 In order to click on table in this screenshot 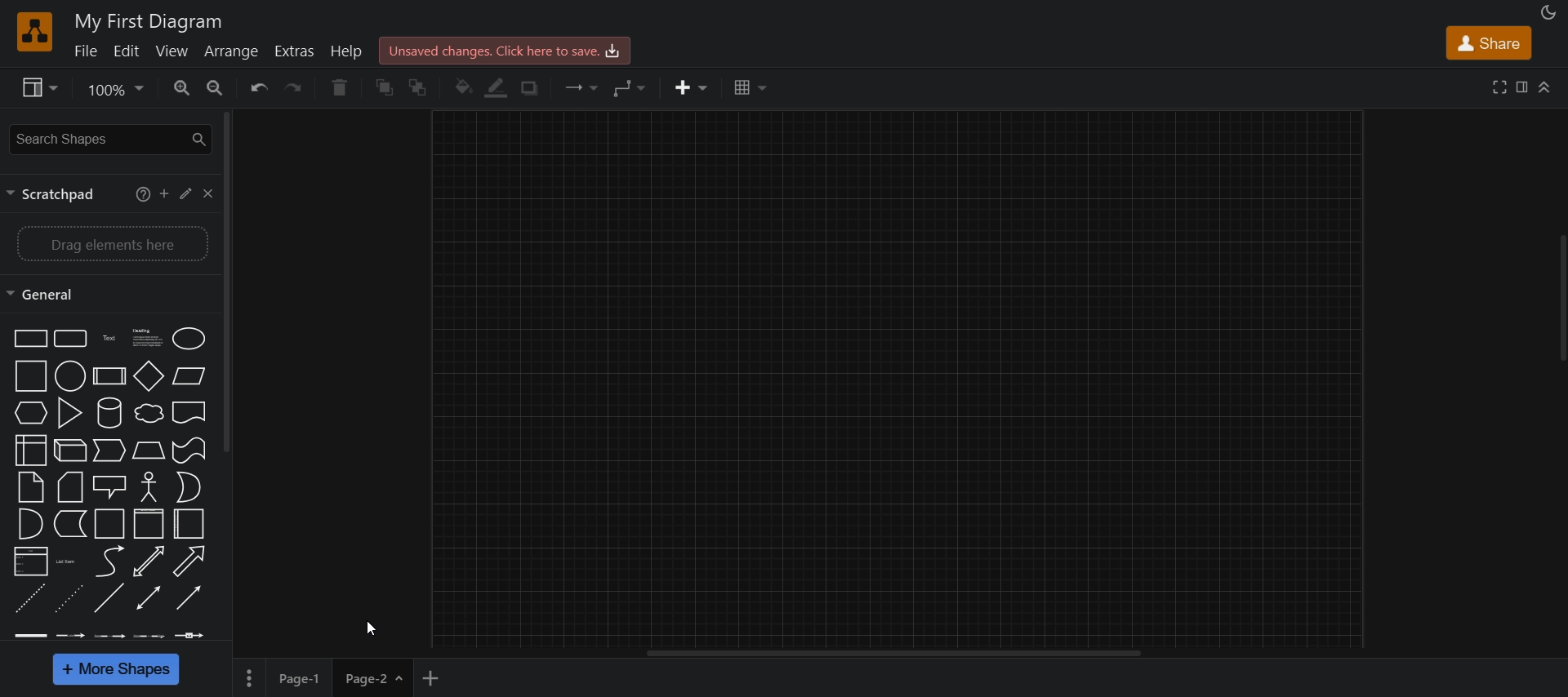, I will do `click(751, 89)`.